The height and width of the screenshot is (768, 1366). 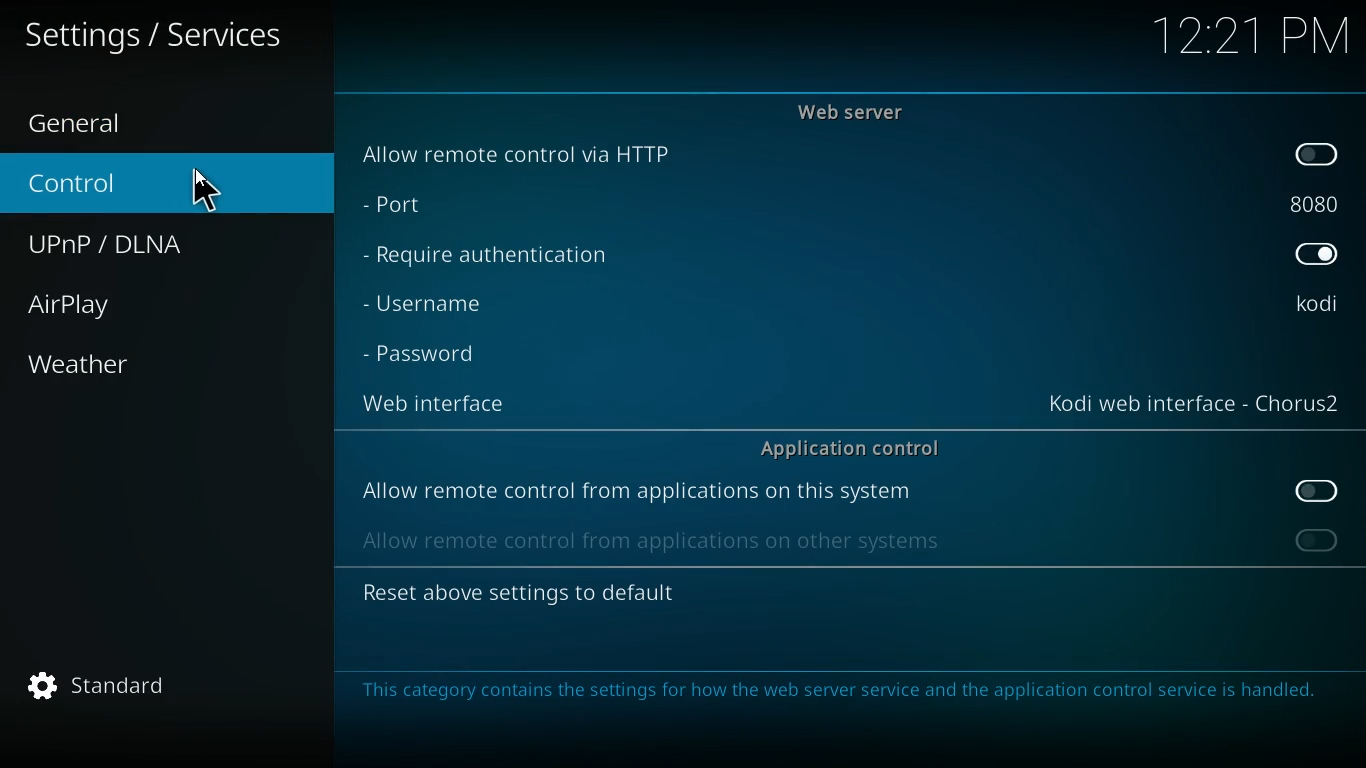 I want to click on web server, so click(x=853, y=111).